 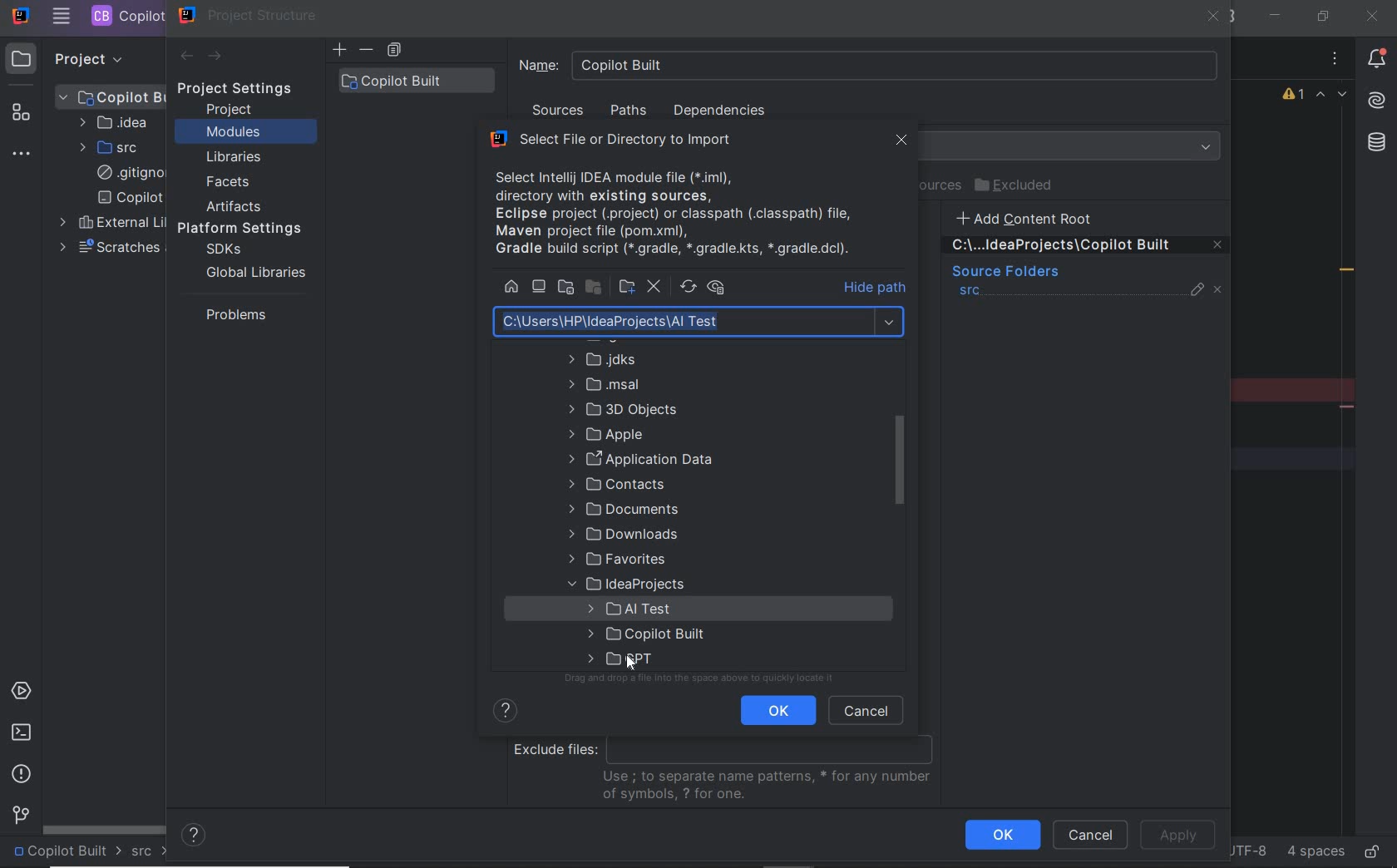 What do you see at coordinates (368, 50) in the screenshot?
I see `delete` at bounding box center [368, 50].